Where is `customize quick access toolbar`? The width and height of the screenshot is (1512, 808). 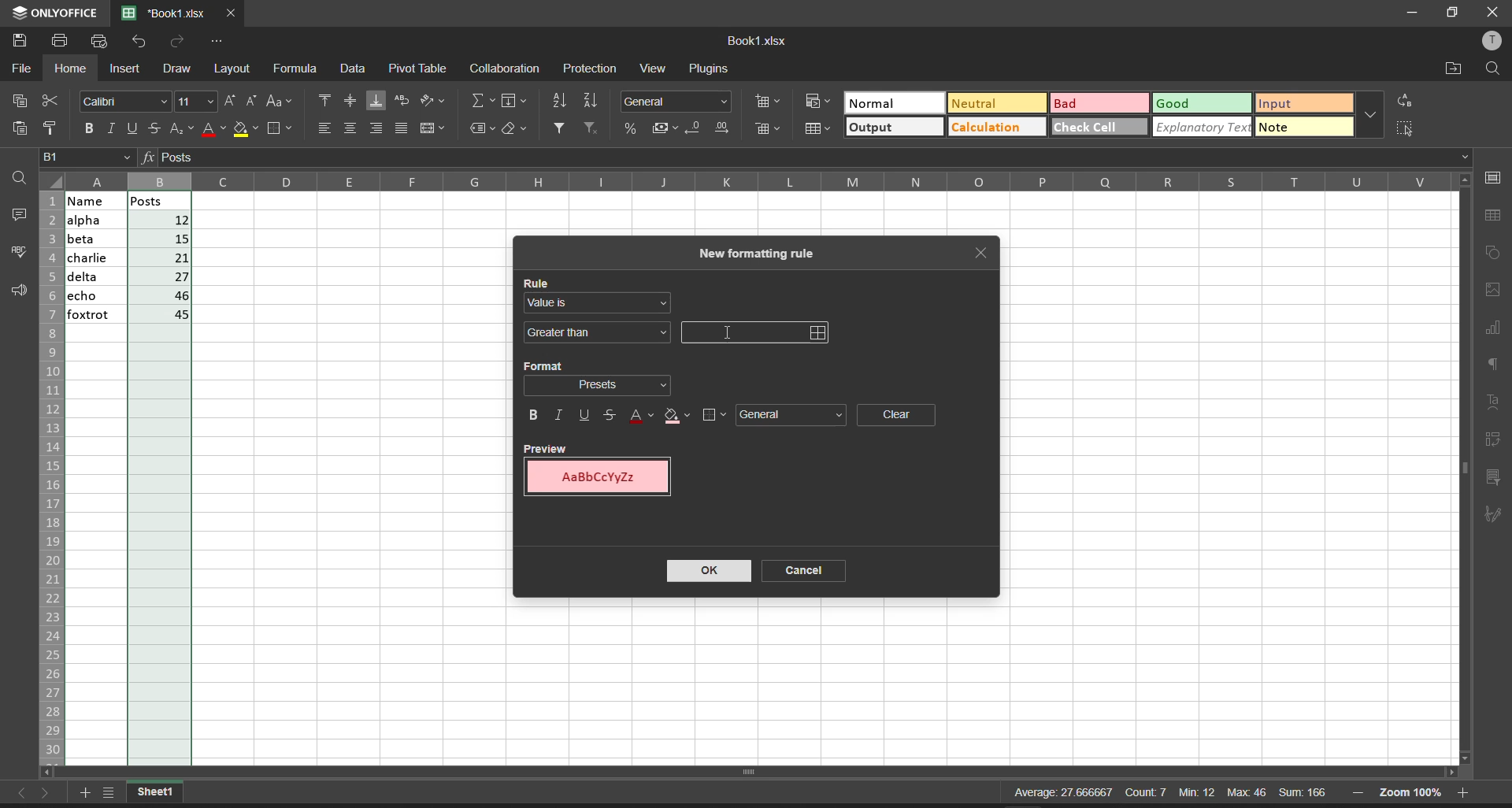 customize quick access toolbar is located at coordinates (218, 40).